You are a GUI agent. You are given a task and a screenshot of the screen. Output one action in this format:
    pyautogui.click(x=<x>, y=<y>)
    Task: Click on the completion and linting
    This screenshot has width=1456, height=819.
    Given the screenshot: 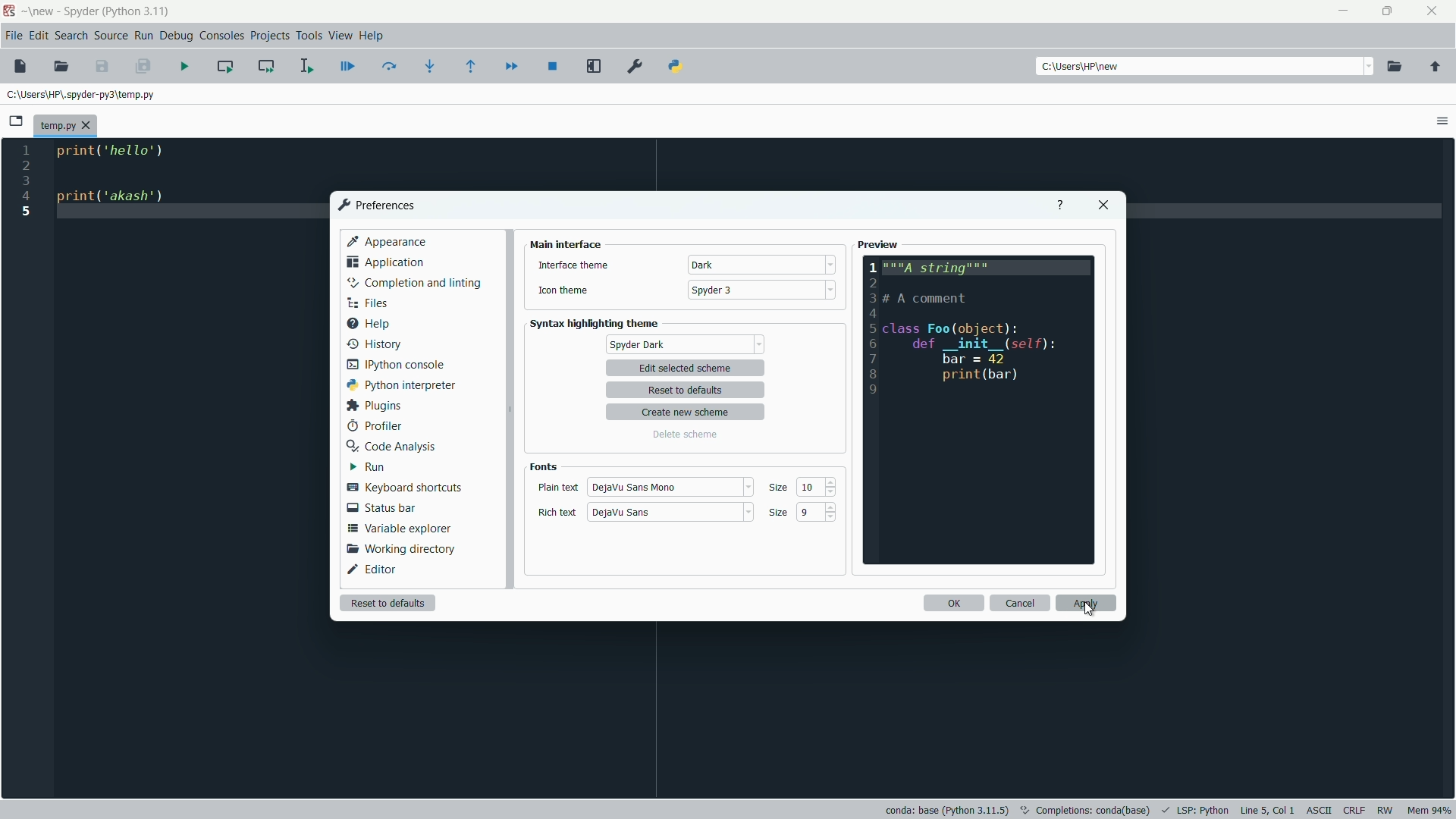 What is the action you would take?
    pyautogui.click(x=414, y=283)
    